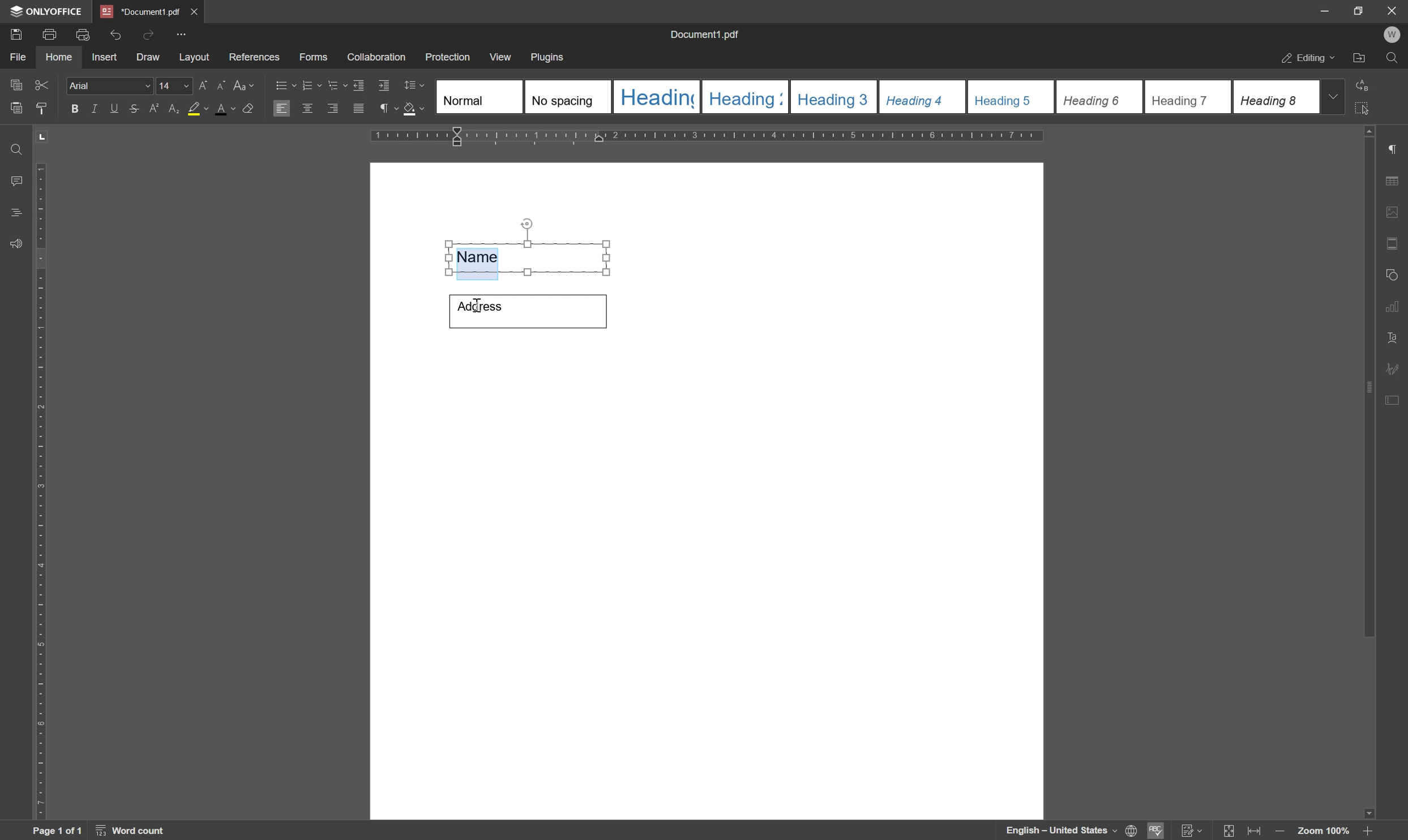 This screenshot has height=840, width=1408. What do you see at coordinates (476, 307) in the screenshot?
I see `cursor` at bounding box center [476, 307].